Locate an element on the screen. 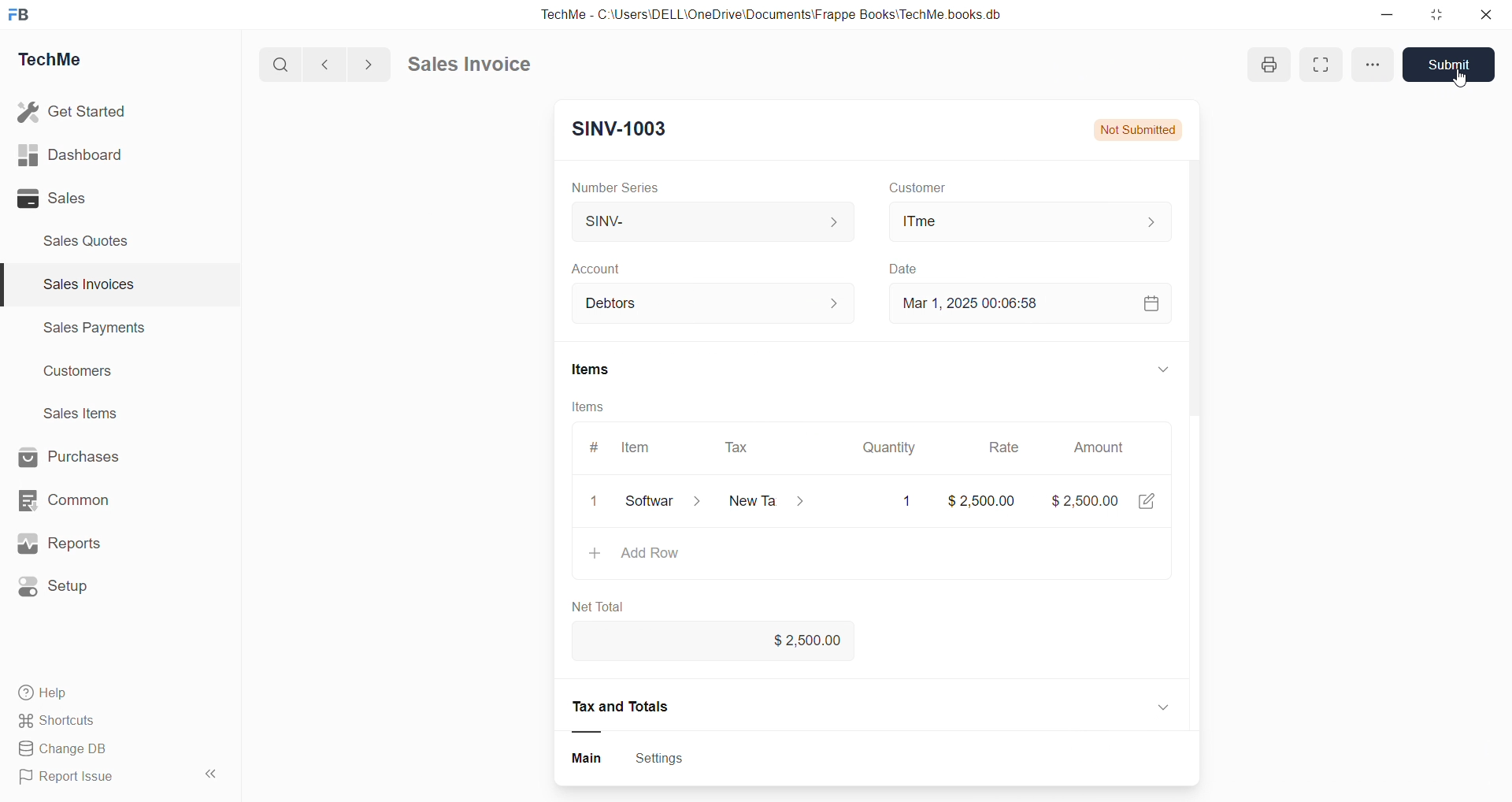  Net Total is located at coordinates (607, 607).